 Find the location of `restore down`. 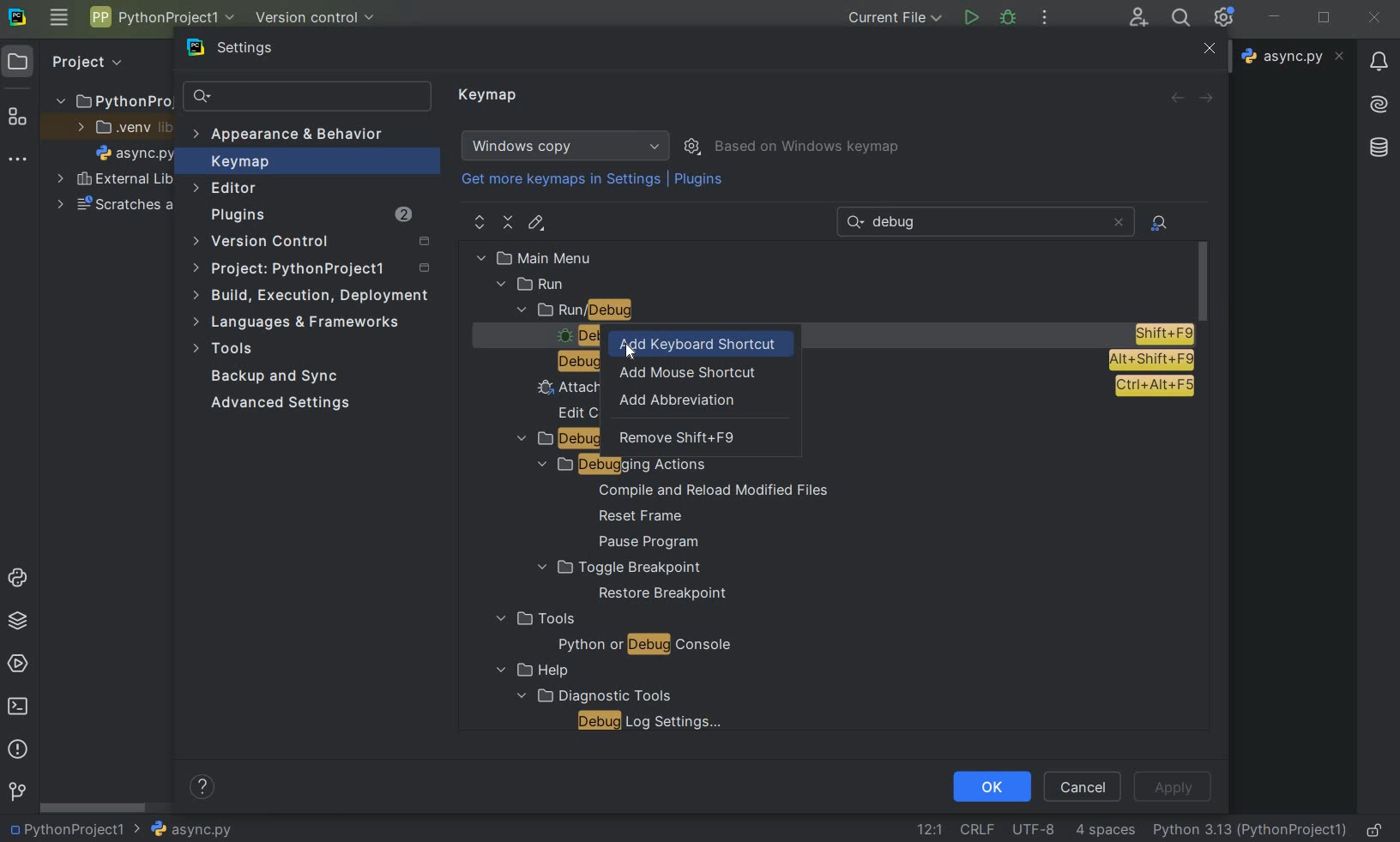

restore down is located at coordinates (1326, 20).